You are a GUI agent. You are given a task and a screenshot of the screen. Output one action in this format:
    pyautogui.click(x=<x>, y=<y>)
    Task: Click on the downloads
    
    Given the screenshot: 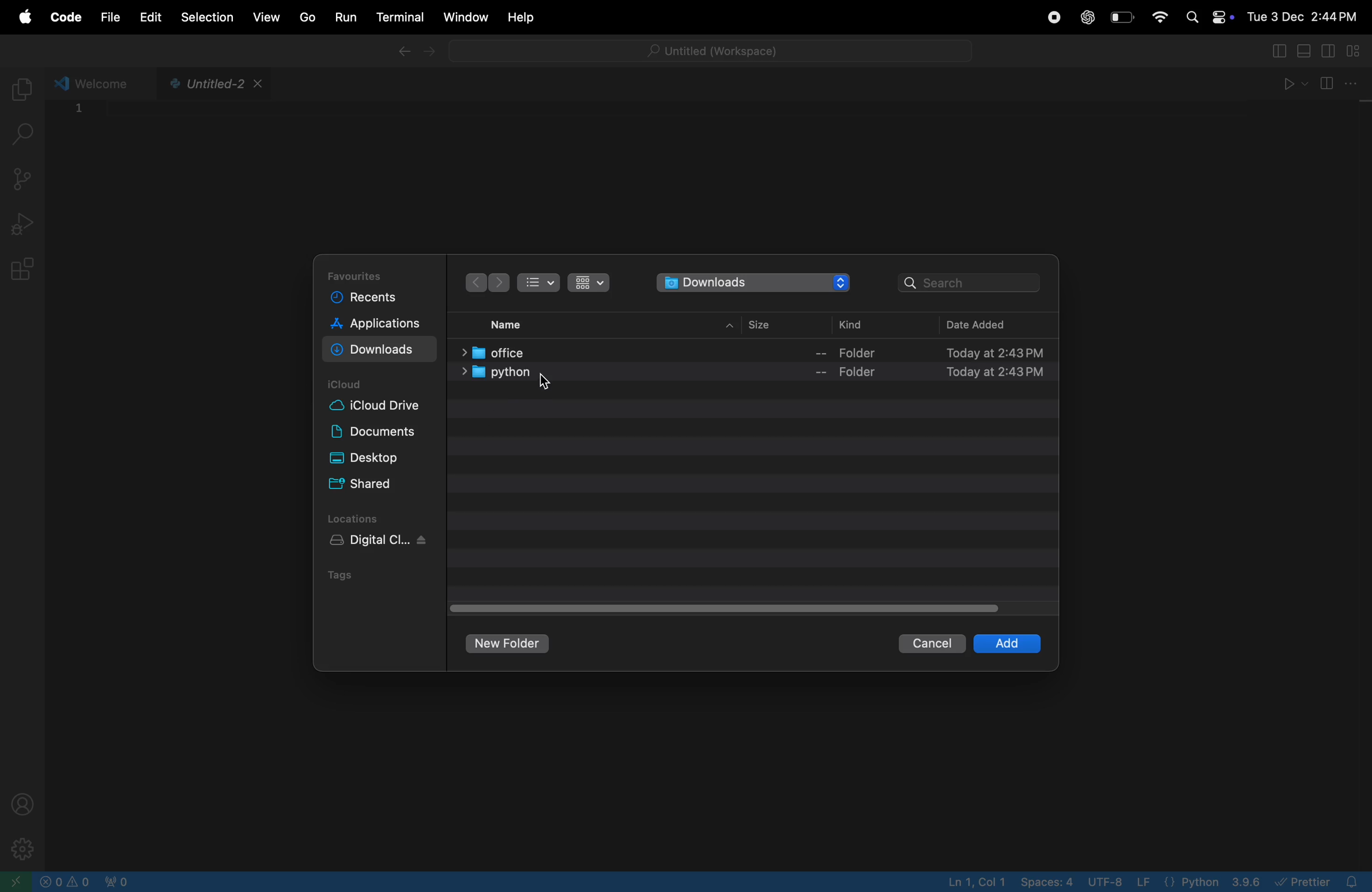 What is the action you would take?
    pyautogui.click(x=374, y=349)
    